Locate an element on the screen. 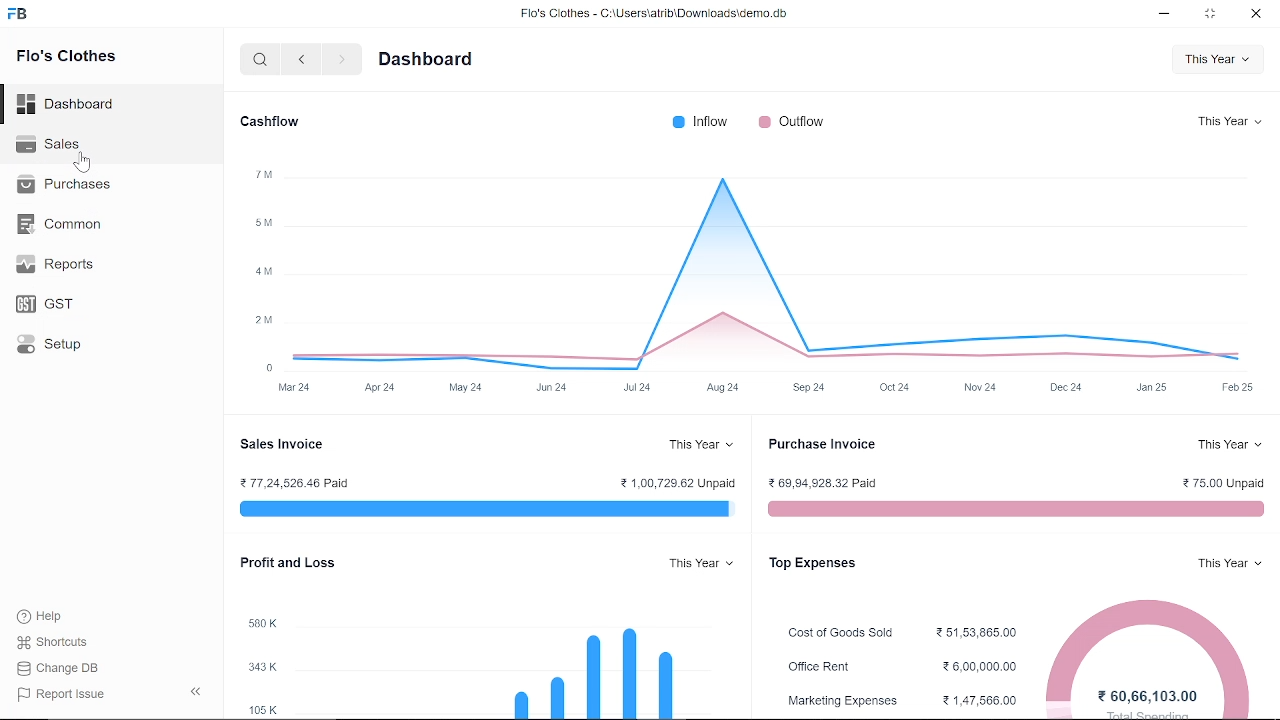  21.00,729.62 Unpaid is located at coordinates (676, 482).